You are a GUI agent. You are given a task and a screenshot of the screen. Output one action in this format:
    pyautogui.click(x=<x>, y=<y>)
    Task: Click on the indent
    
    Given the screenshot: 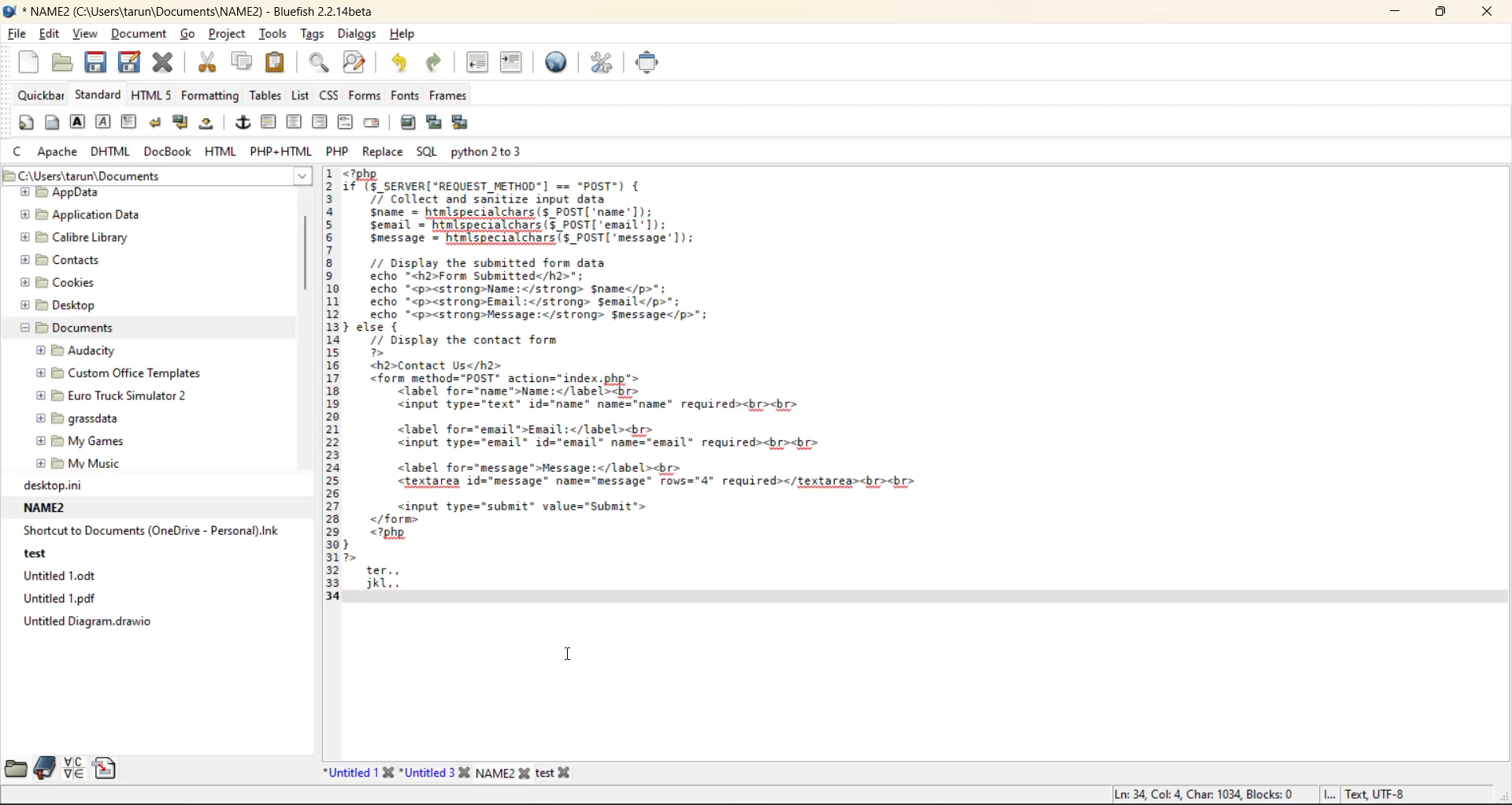 What is the action you would take?
    pyautogui.click(x=513, y=63)
    